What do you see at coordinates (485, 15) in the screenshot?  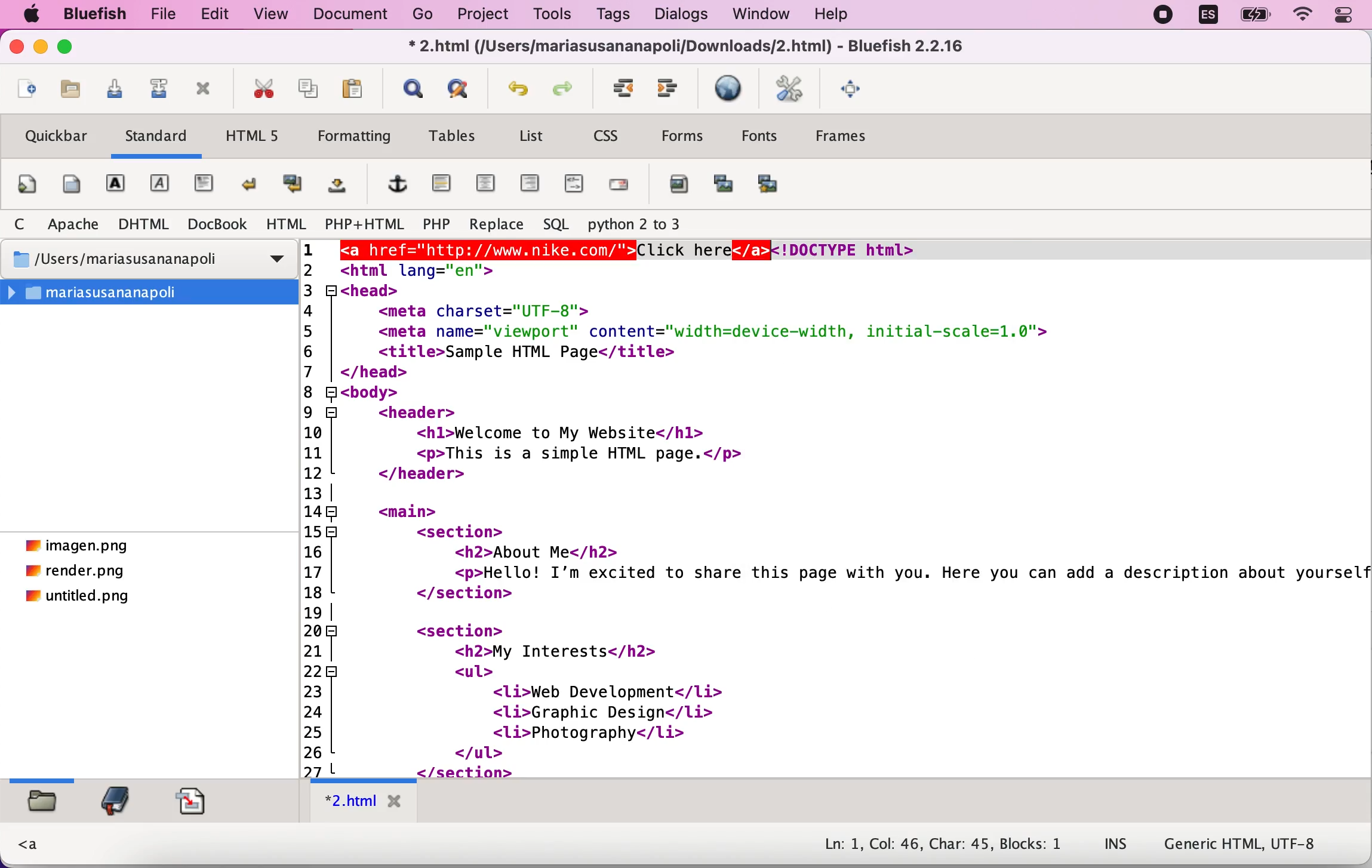 I see `project` at bounding box center [485, 15].